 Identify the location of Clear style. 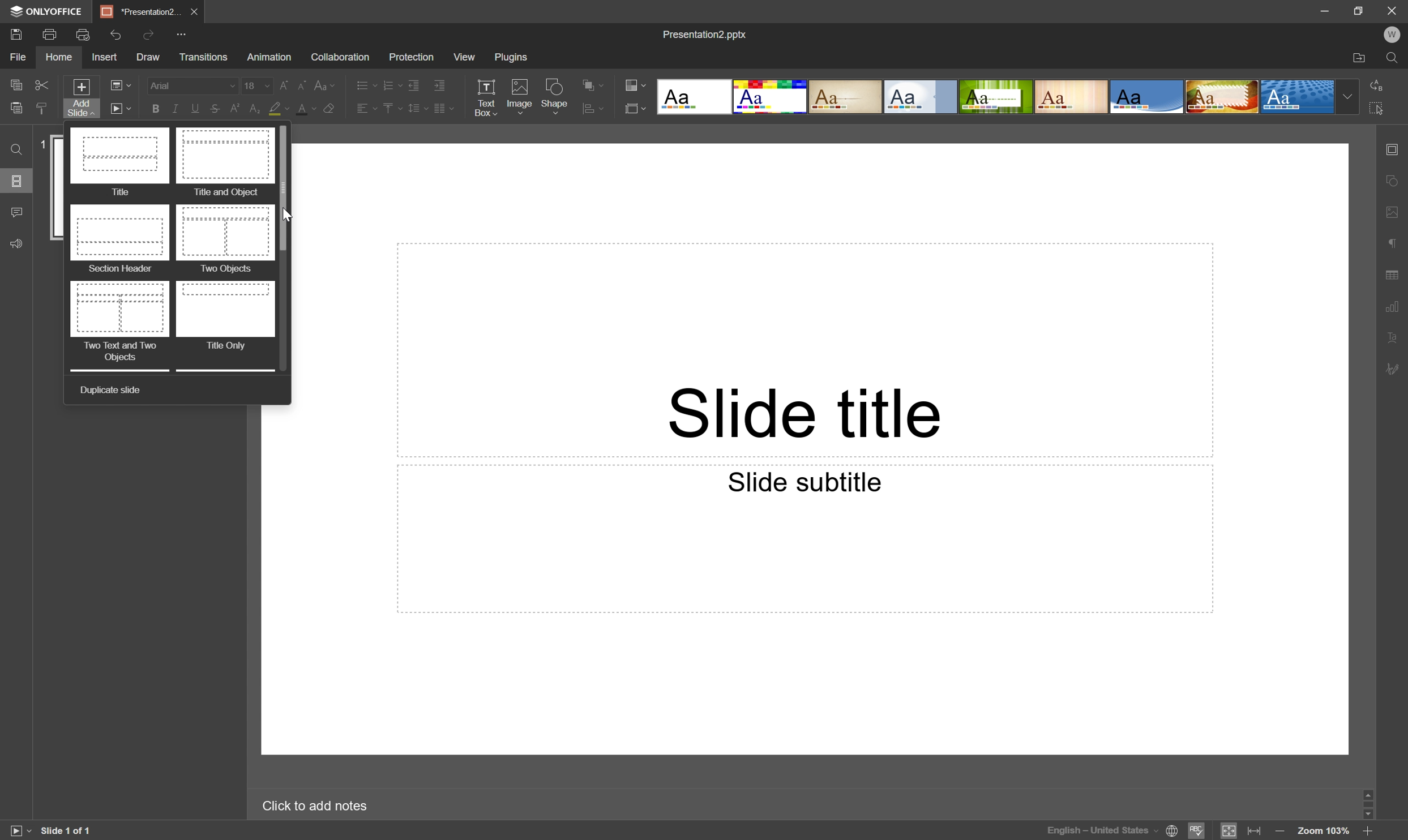
(330, 111).